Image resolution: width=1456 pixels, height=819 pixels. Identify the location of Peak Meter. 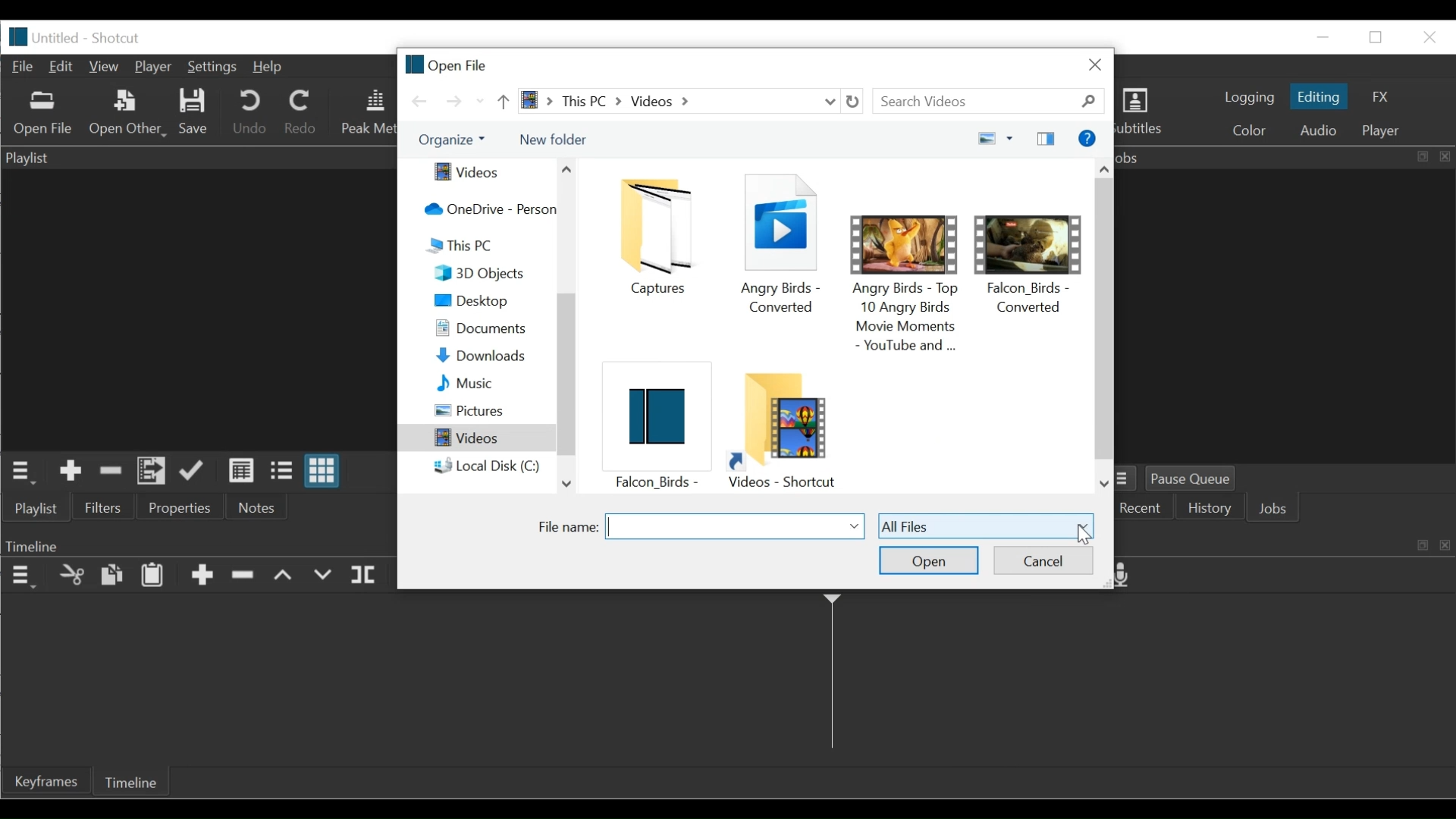
(368, 113).